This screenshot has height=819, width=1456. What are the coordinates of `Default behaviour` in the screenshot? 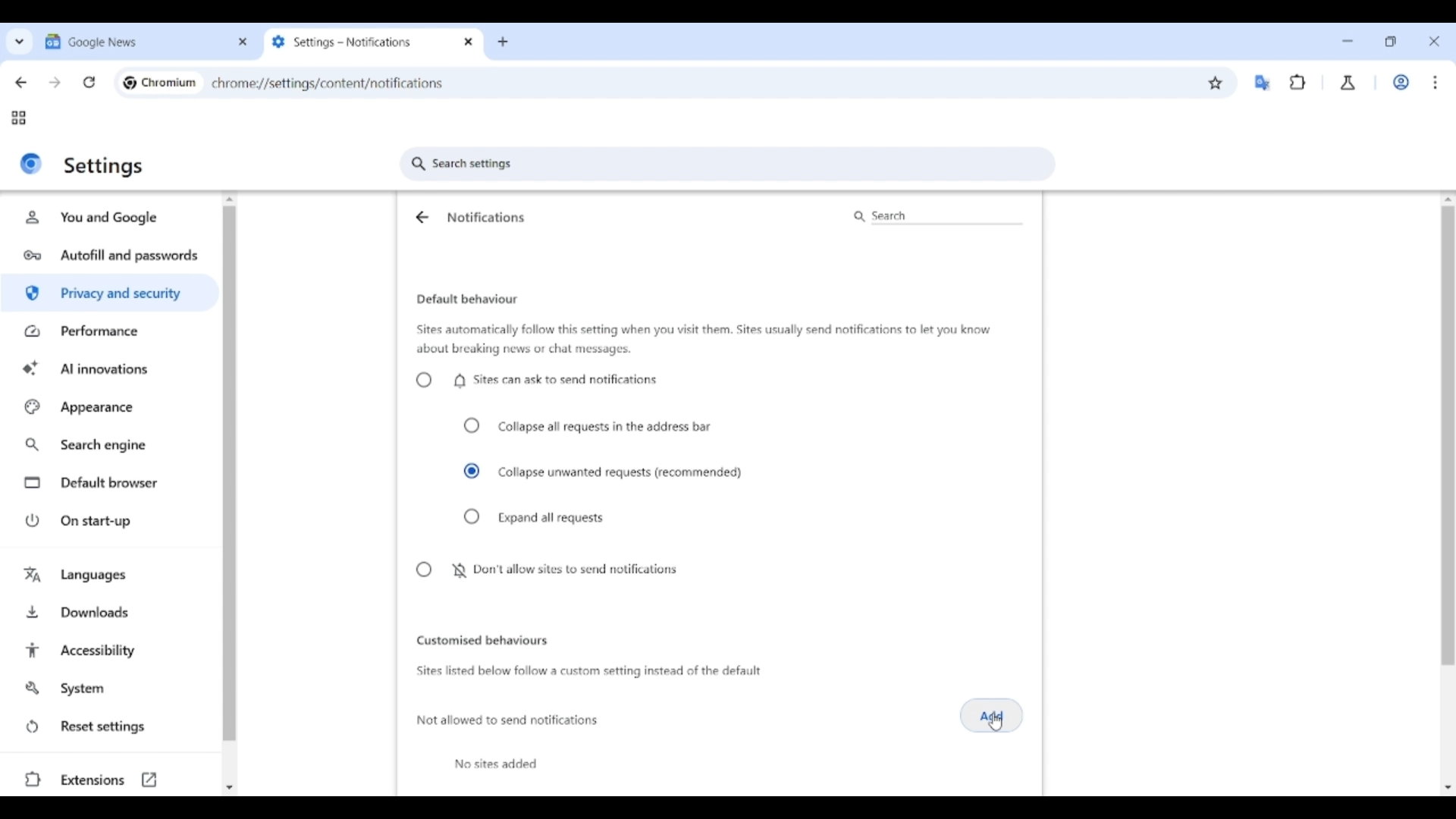 It's located at (467, 300).